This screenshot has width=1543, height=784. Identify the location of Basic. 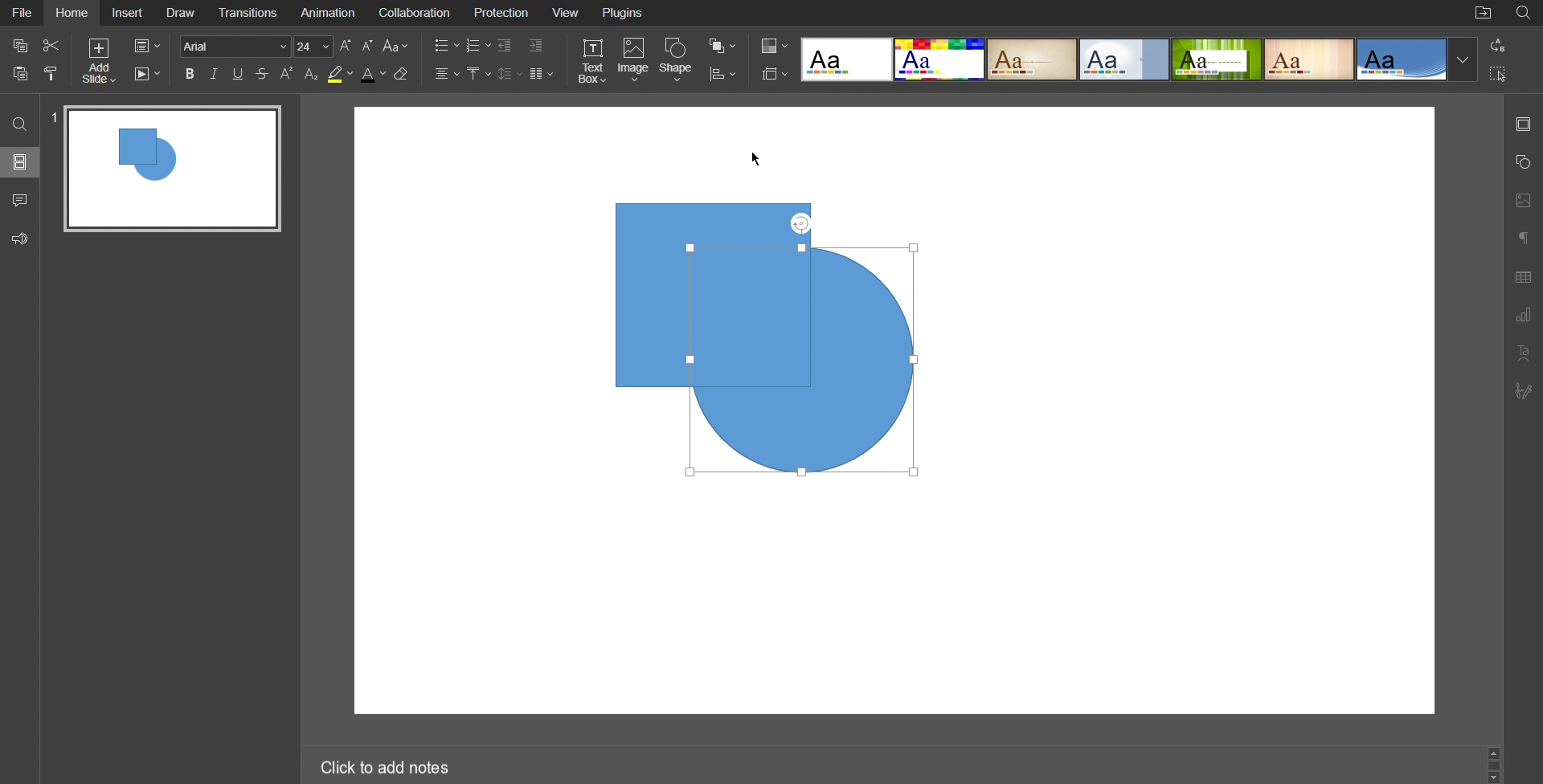
(940, 59).